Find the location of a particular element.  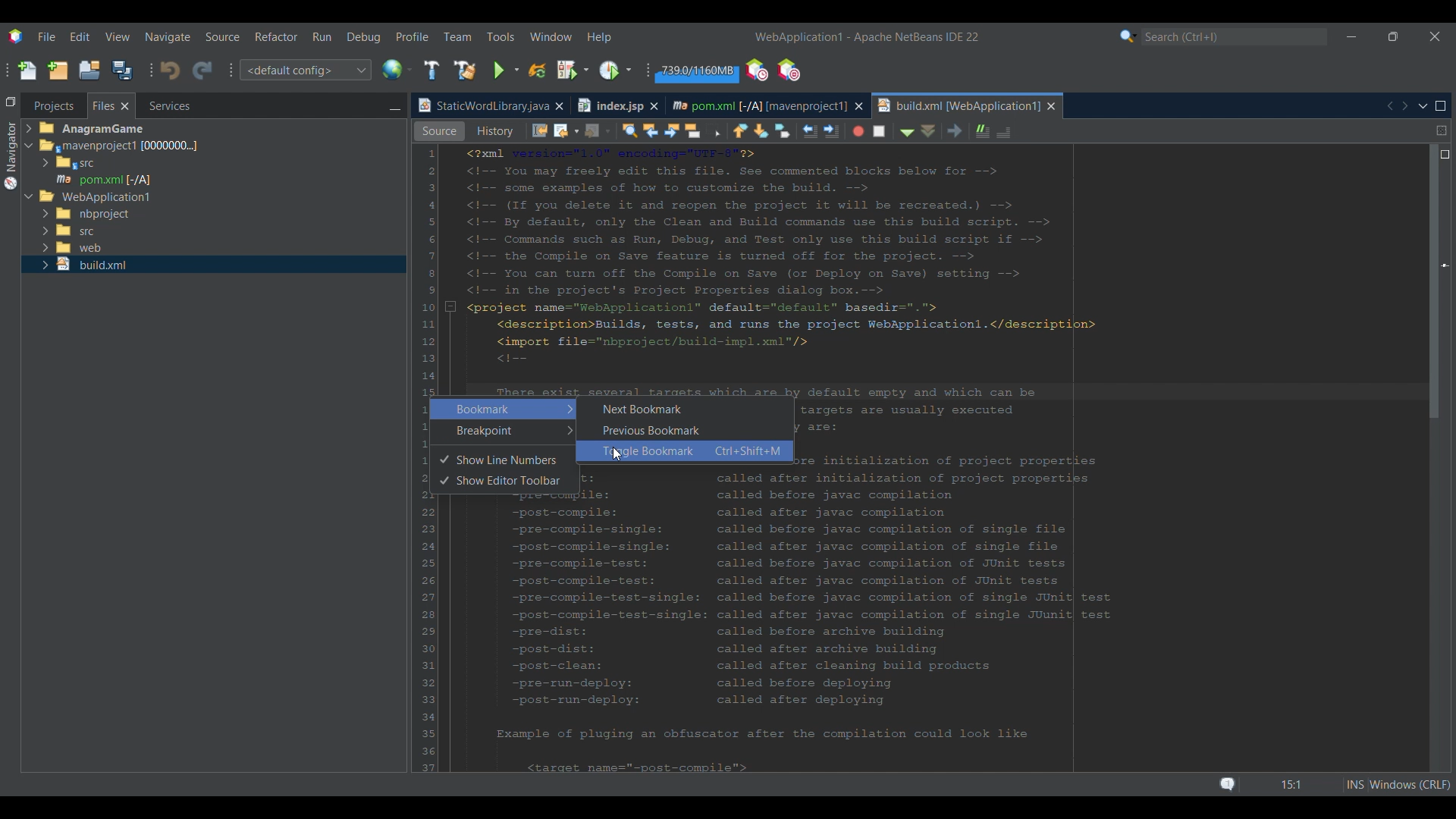

Project name changed is located at coordinates (798, 36).